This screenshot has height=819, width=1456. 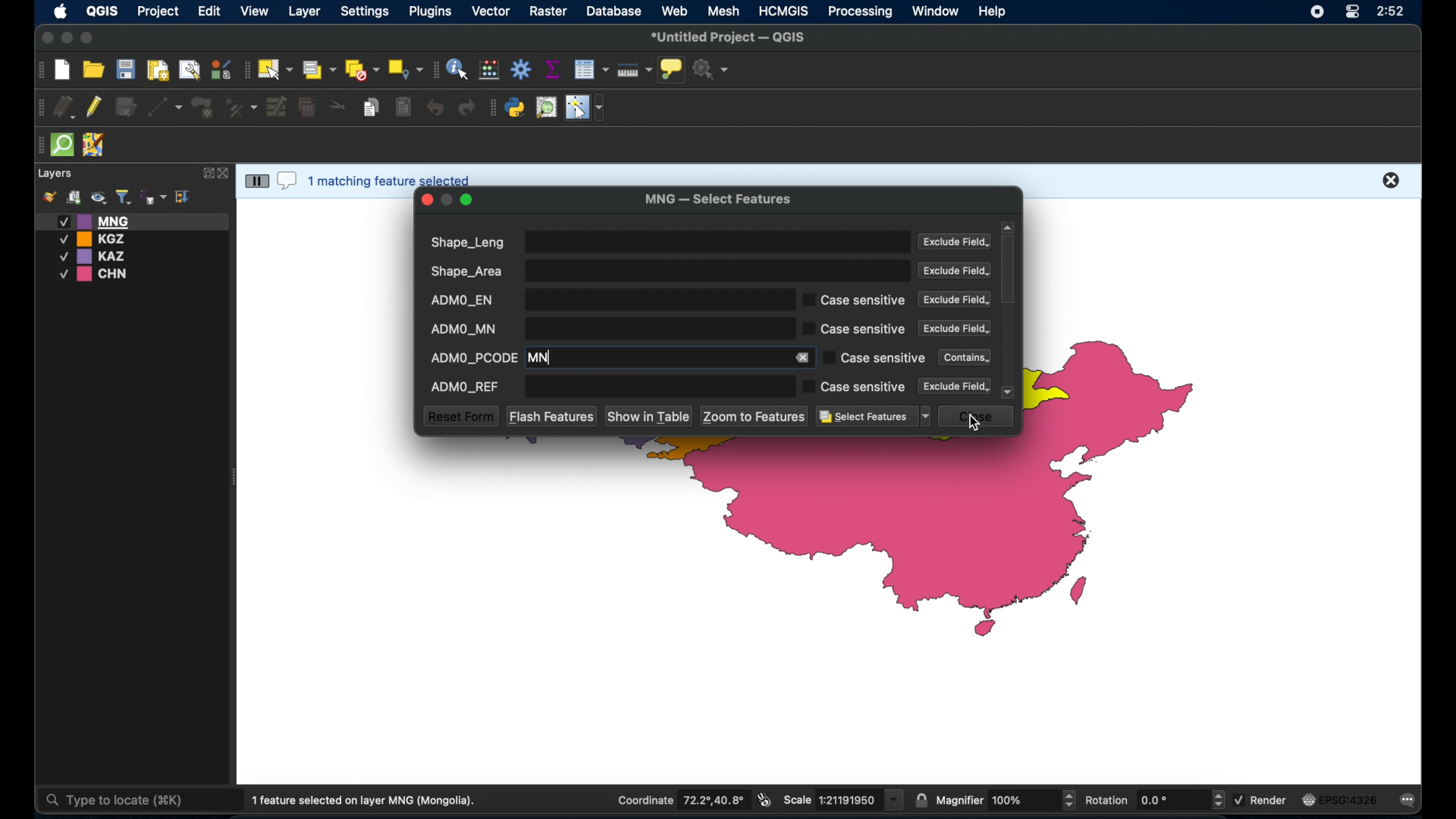 What do you see at coordinates (606, 386) in the screenshot?
I see `ADMP_REF` at bounding box center [606, 386].